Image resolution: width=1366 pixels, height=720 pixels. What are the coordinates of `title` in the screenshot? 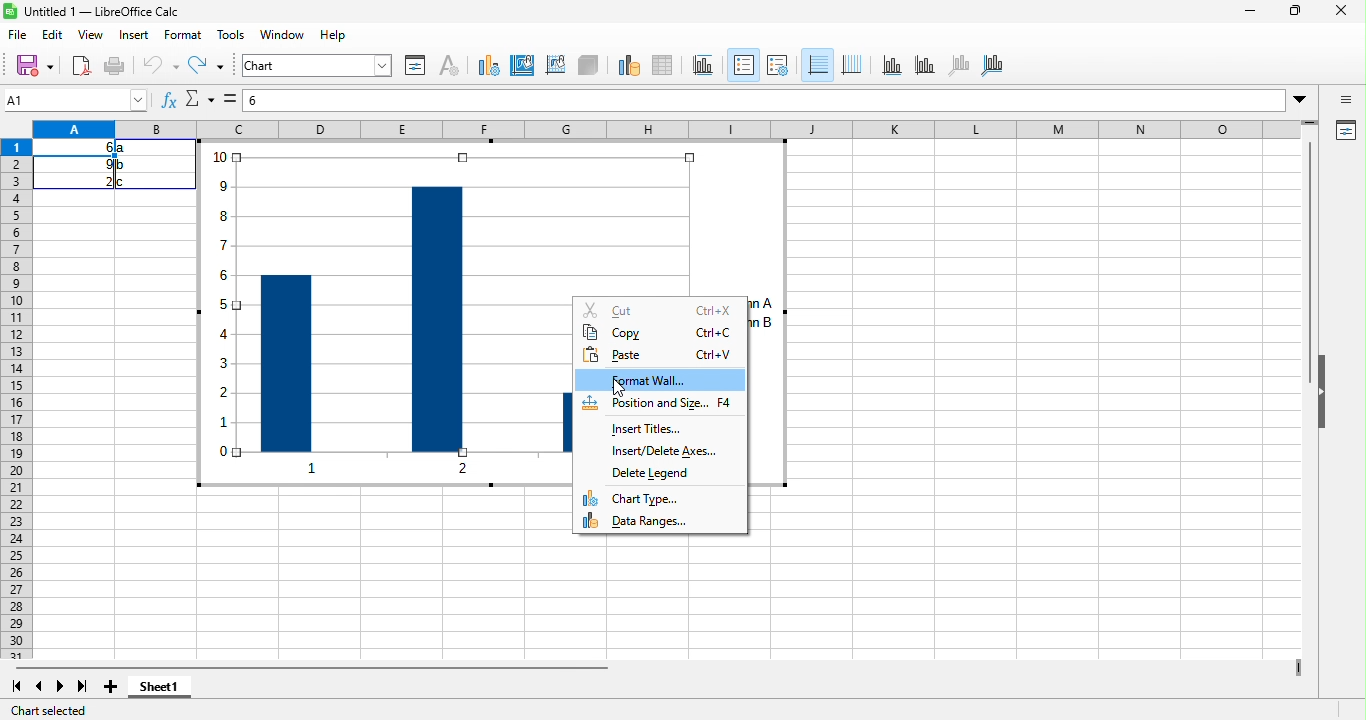 It's located at (94, 12).